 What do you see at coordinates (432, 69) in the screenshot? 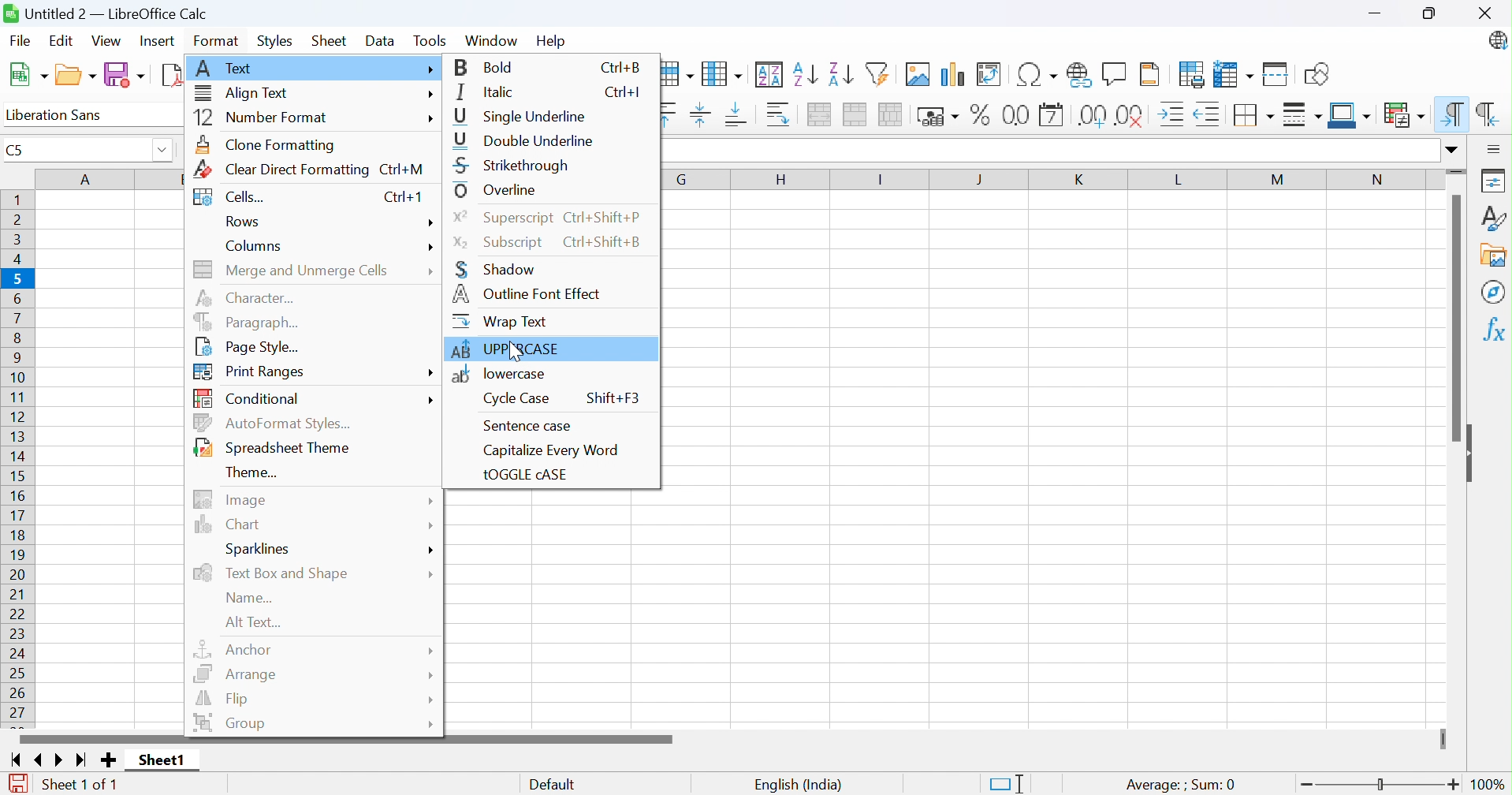
I see `More` at bounding box center [432, 69].